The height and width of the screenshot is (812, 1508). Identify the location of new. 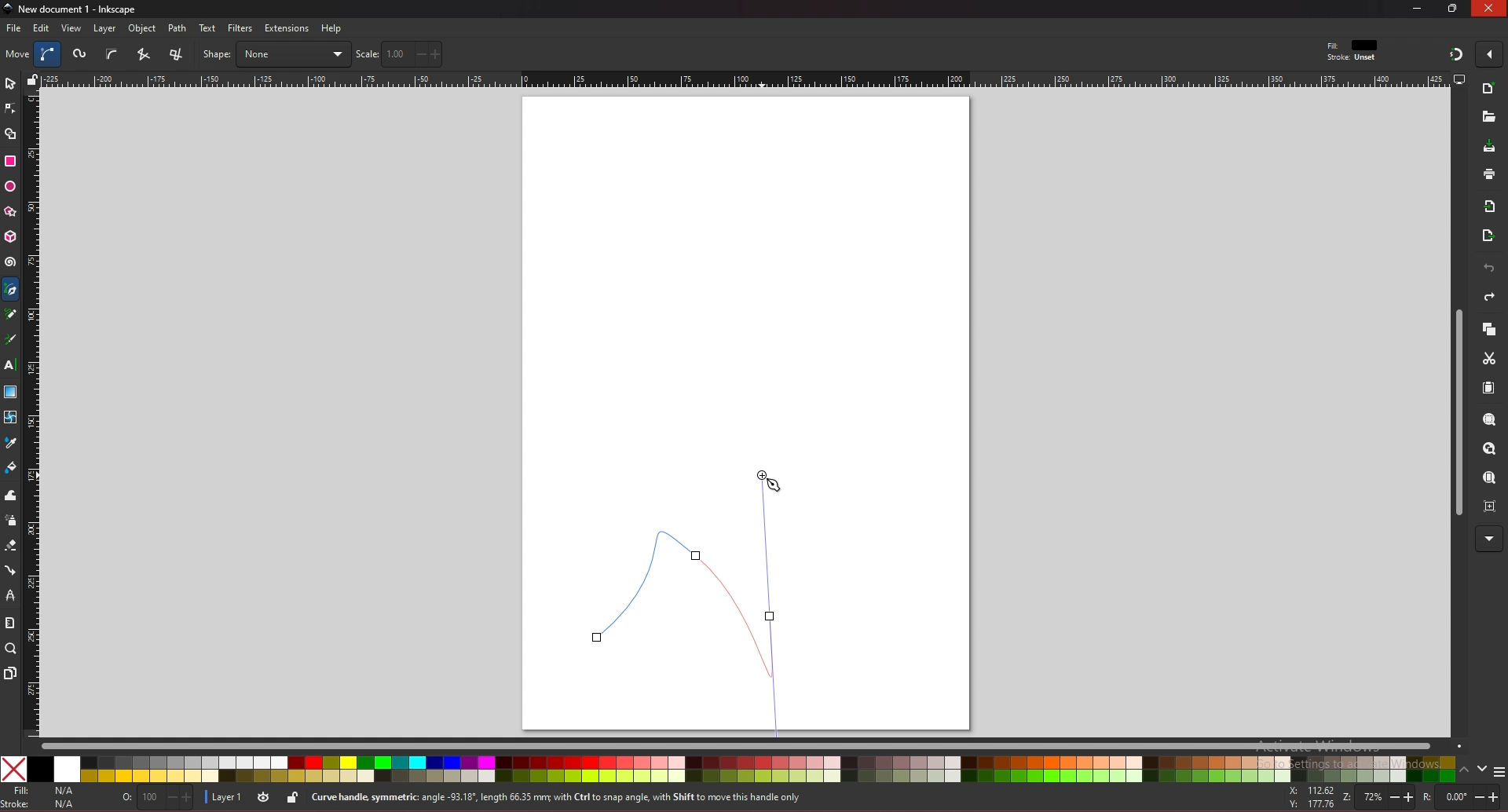
(1489, 90).